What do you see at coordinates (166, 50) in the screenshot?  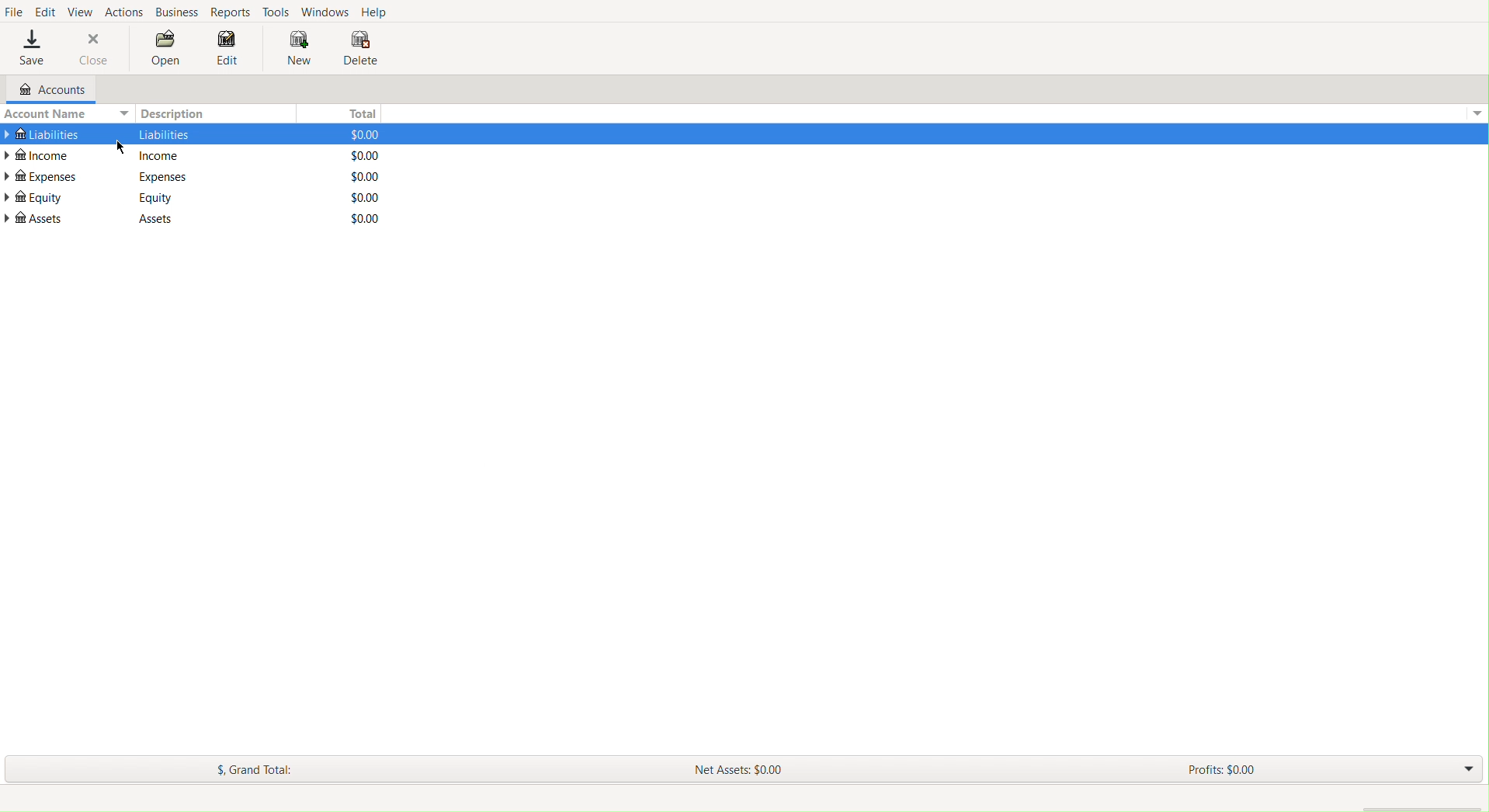 I see `Open` at bounding box center [166, 50].